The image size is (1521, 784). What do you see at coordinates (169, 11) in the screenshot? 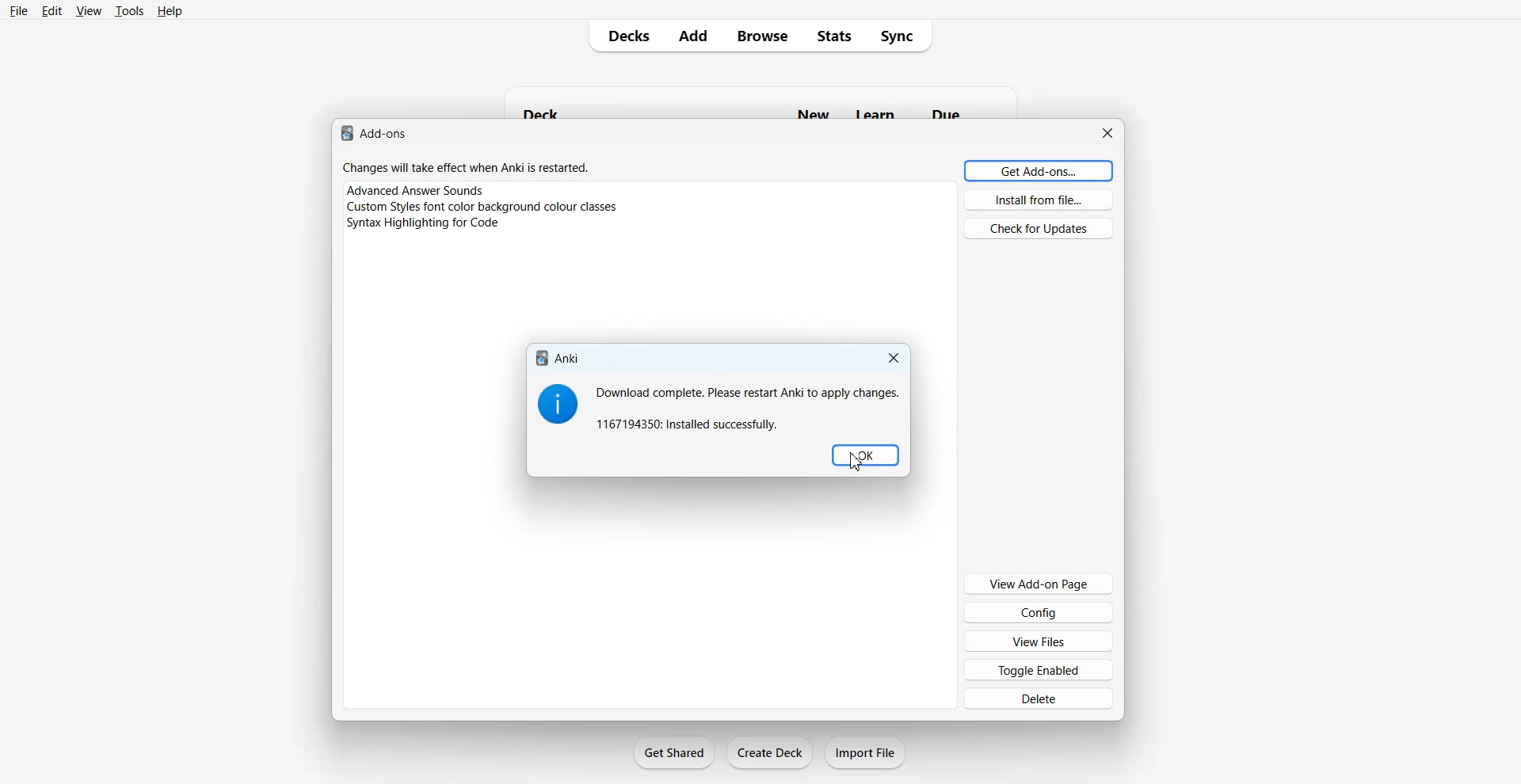
I see `Help` at bounding box center [169, 11].